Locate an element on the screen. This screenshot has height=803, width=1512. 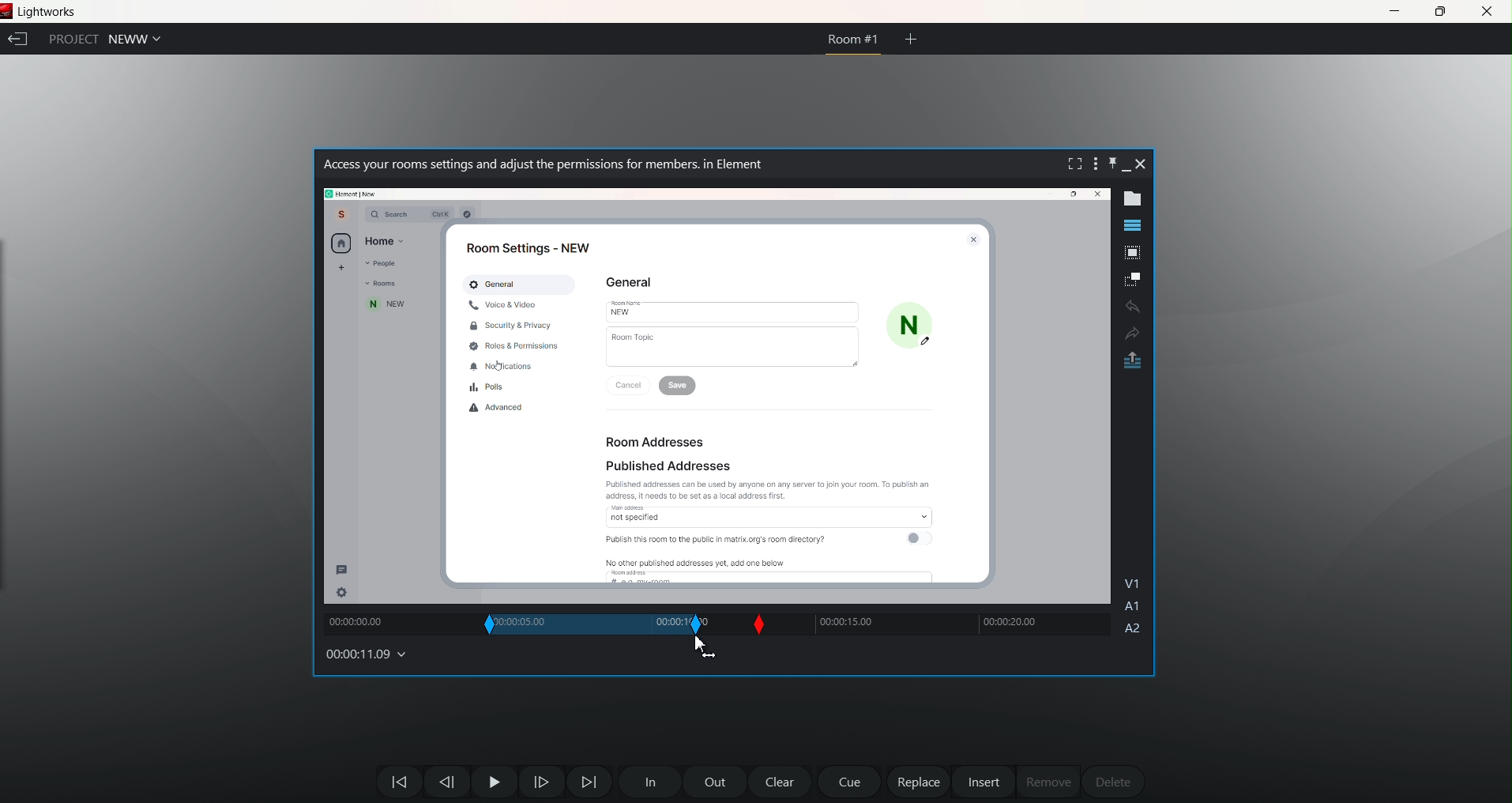
show setting menu is located at coordinates (1100, 164).